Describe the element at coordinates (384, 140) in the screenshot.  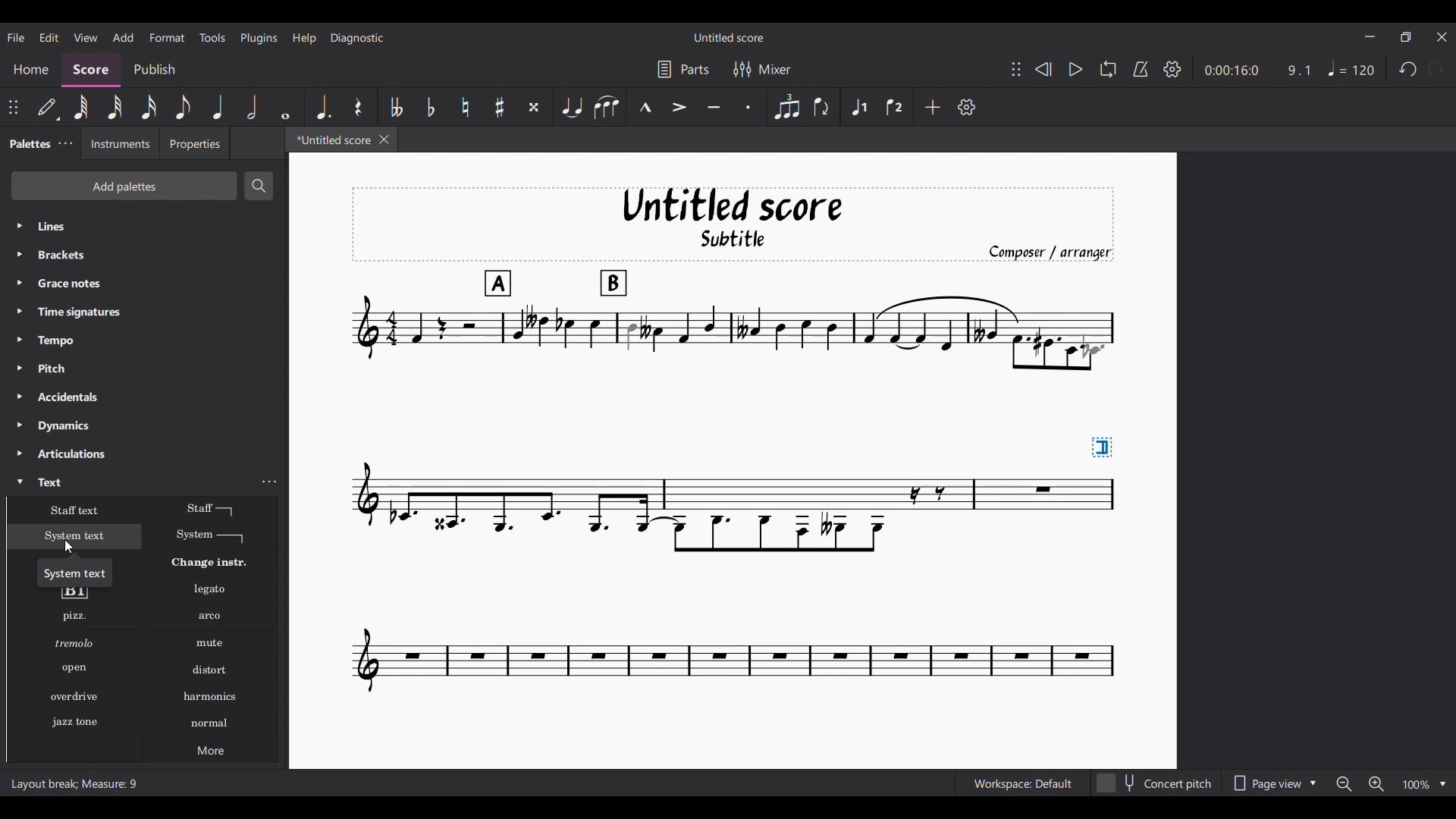
I see `Close tab` at that location.